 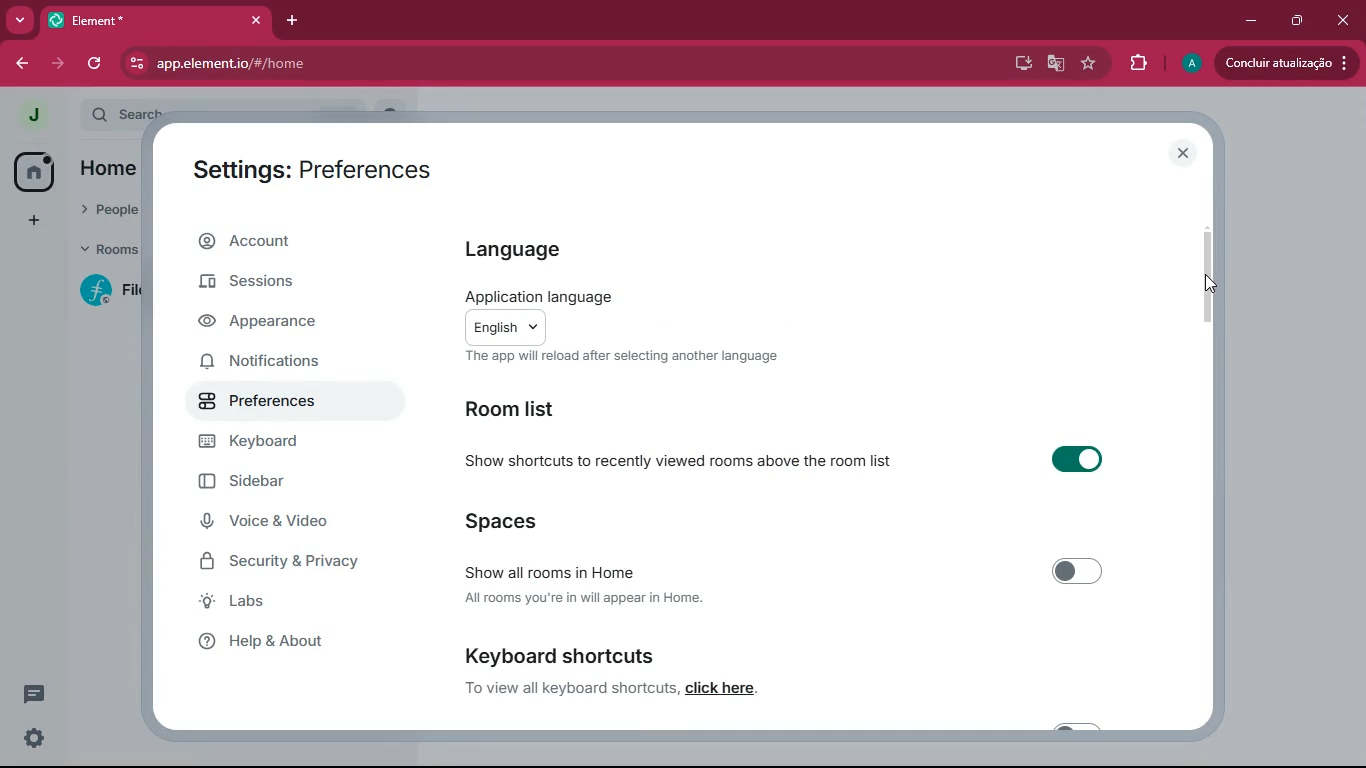 I want to click on Element* tab, so click(x=108, y=20).